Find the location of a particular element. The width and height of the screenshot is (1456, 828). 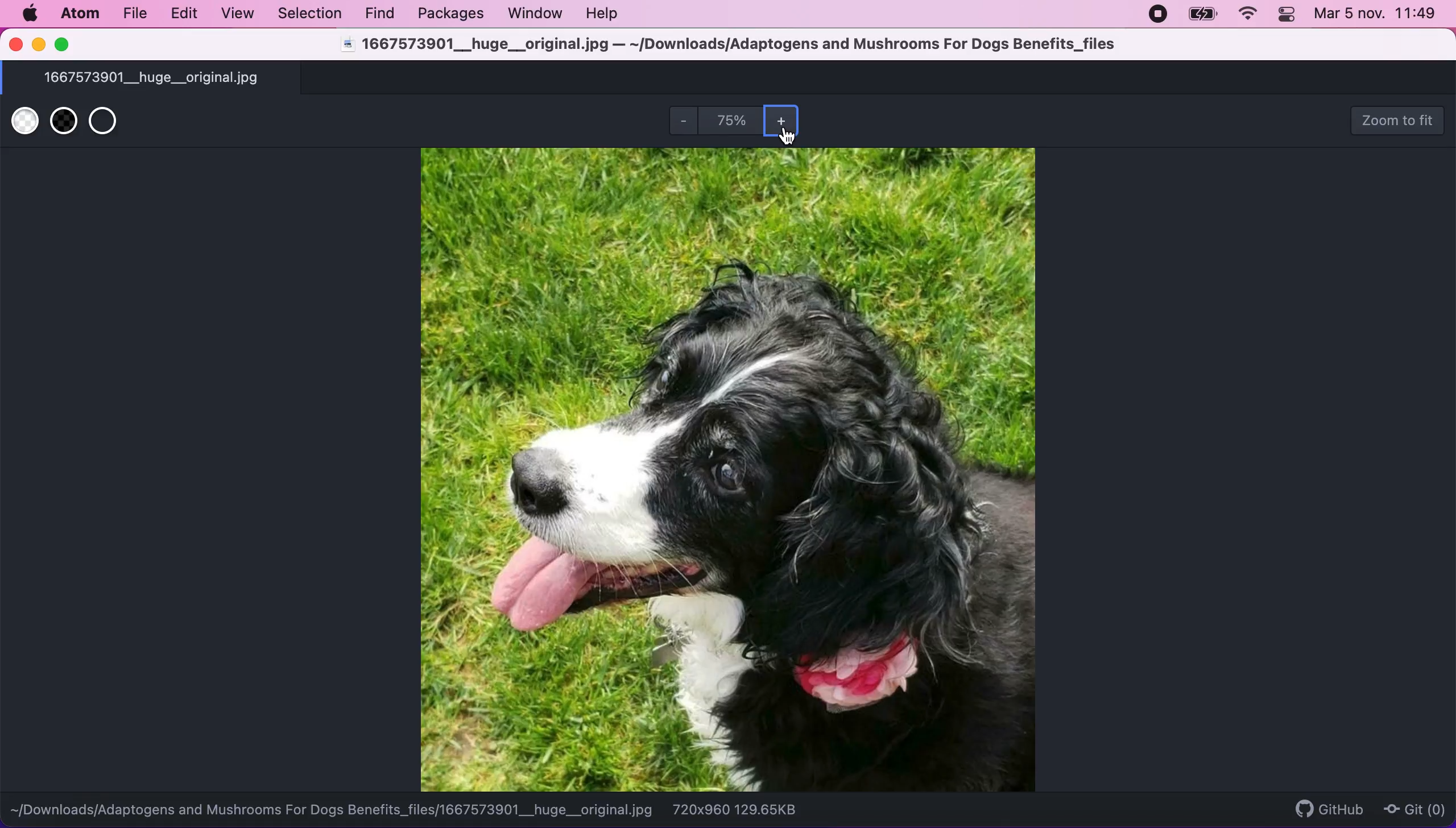

zoom out is located at coordinates (684, 119).